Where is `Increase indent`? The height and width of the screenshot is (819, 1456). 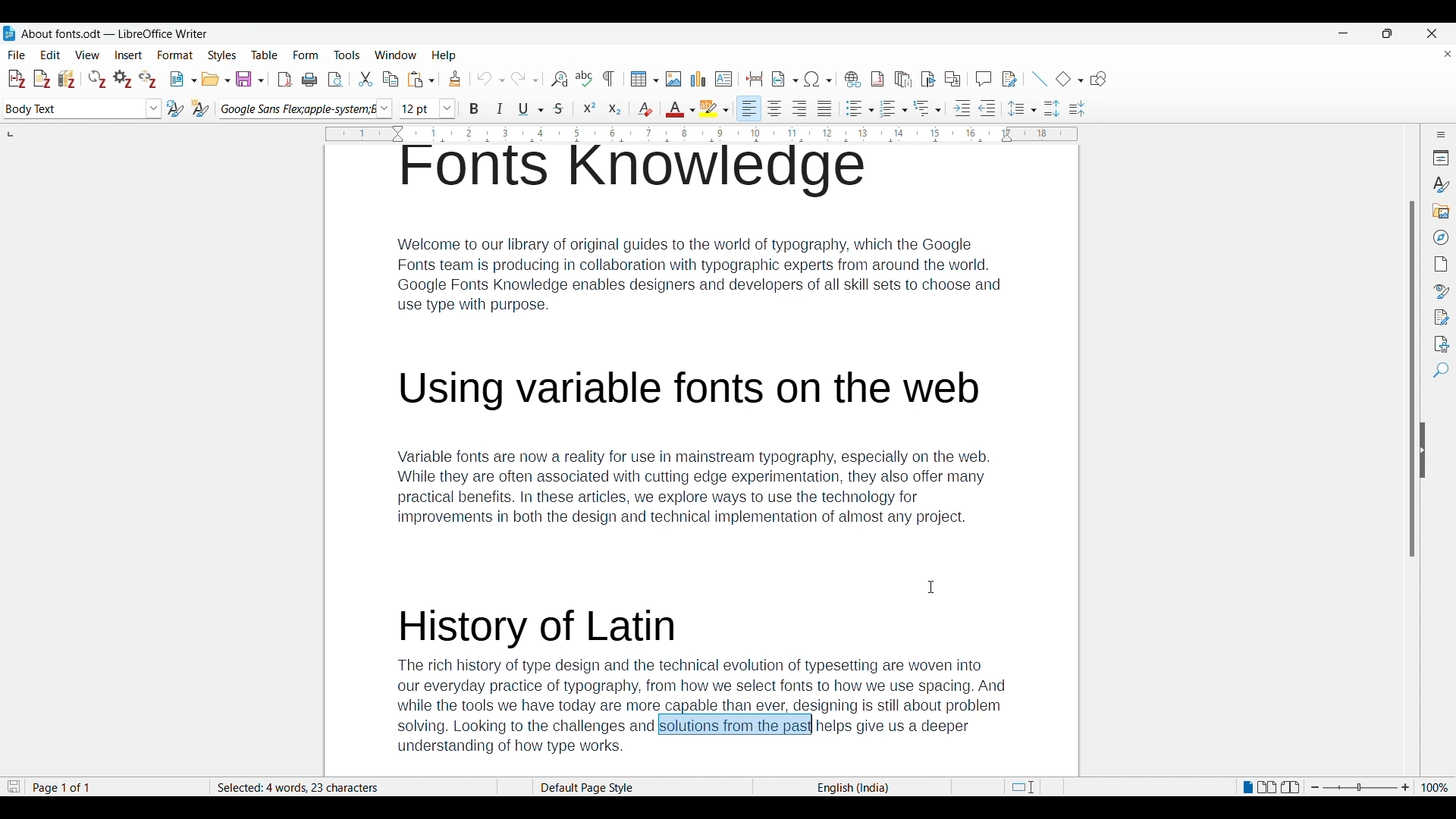 Increase indent is located at coordinates (962, 108).